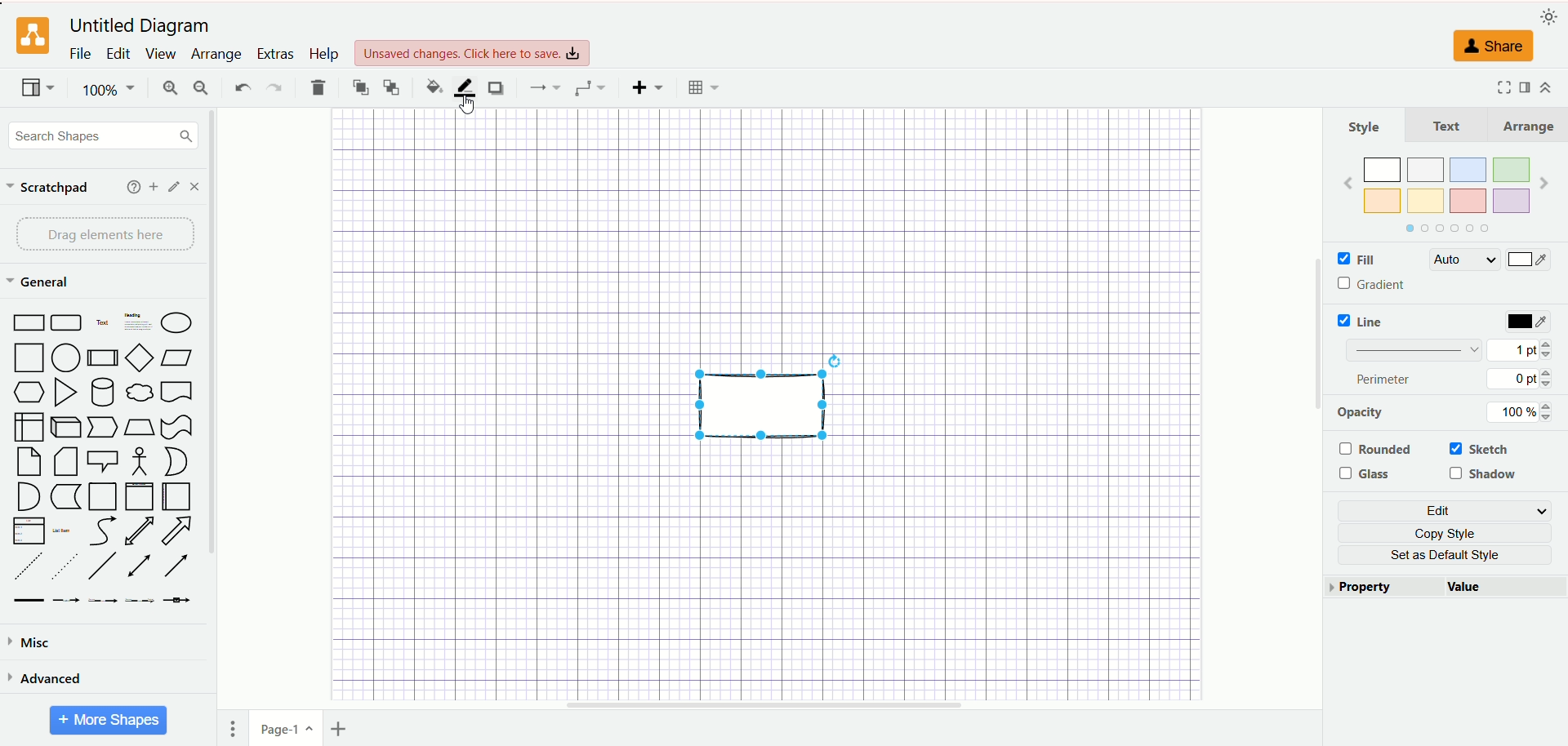  What do you see at coordinates (1528, 257) in the screenshot?
I see `color` at bounding box center [1528, 257].